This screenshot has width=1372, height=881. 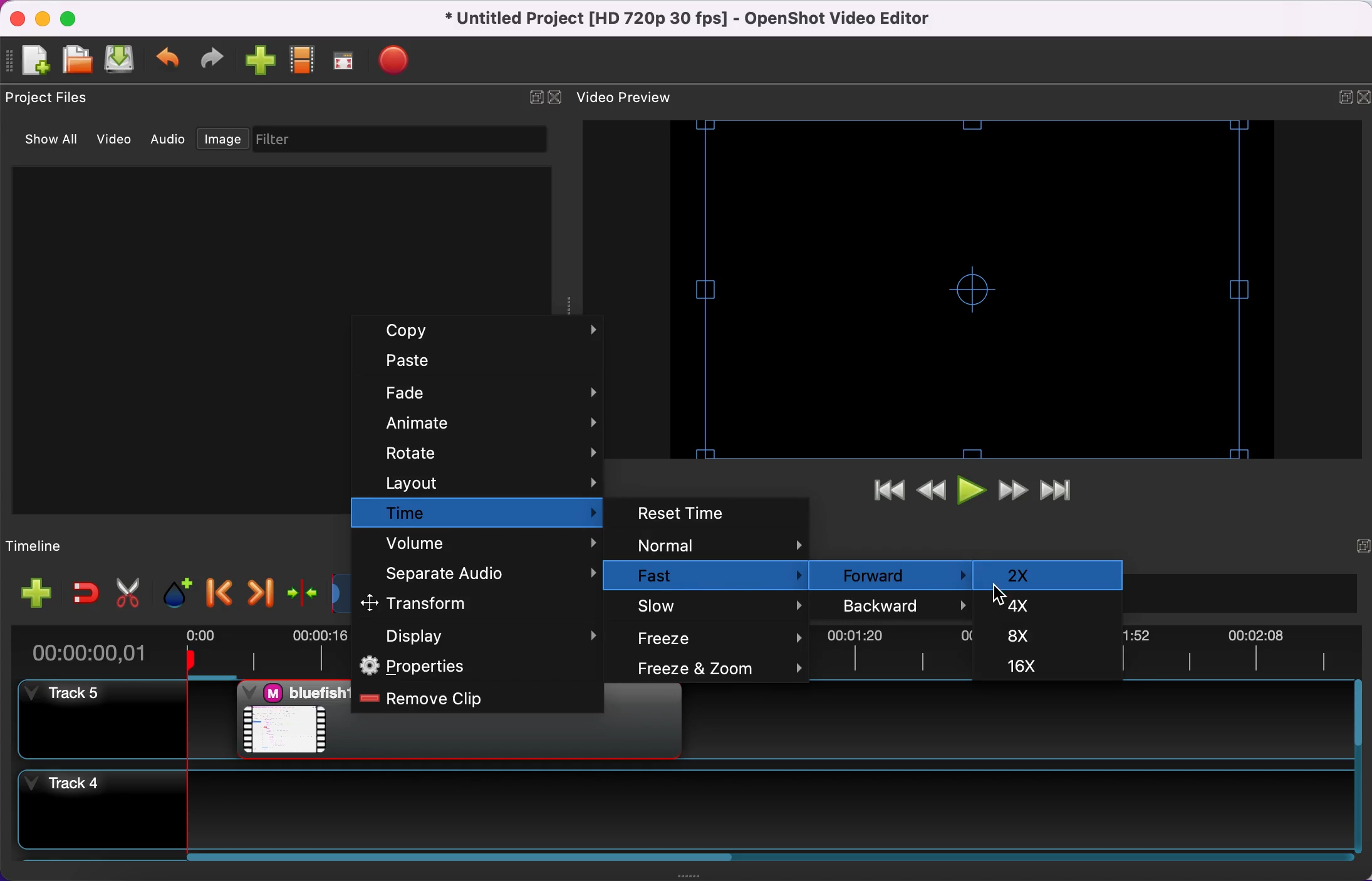 What do you see at coordinates (1047, 577) in the screenshot?
I see `2x selected` at bounding box center [1047, 577].